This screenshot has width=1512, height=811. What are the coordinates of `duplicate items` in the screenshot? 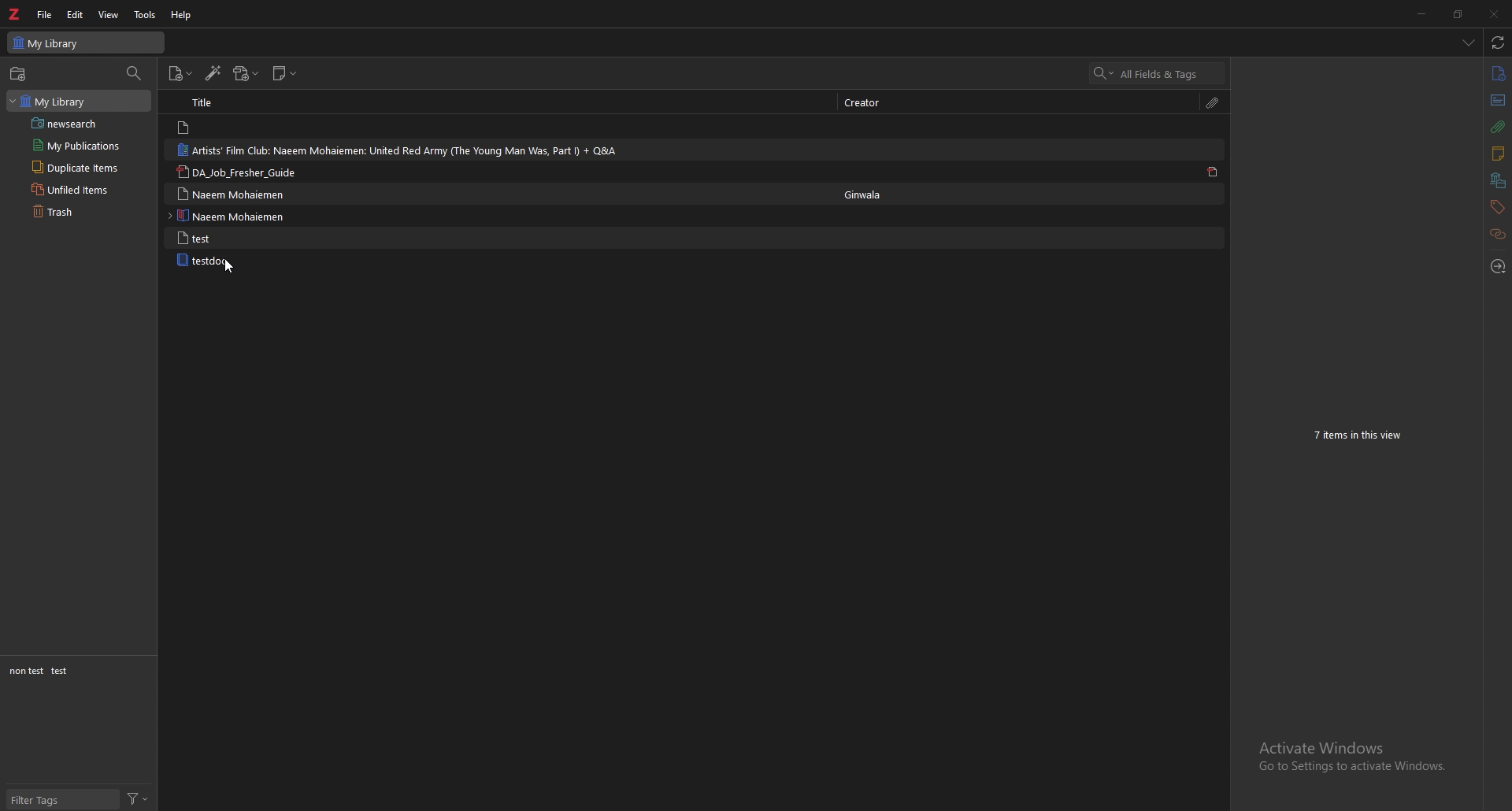 It's located at (81, 168).